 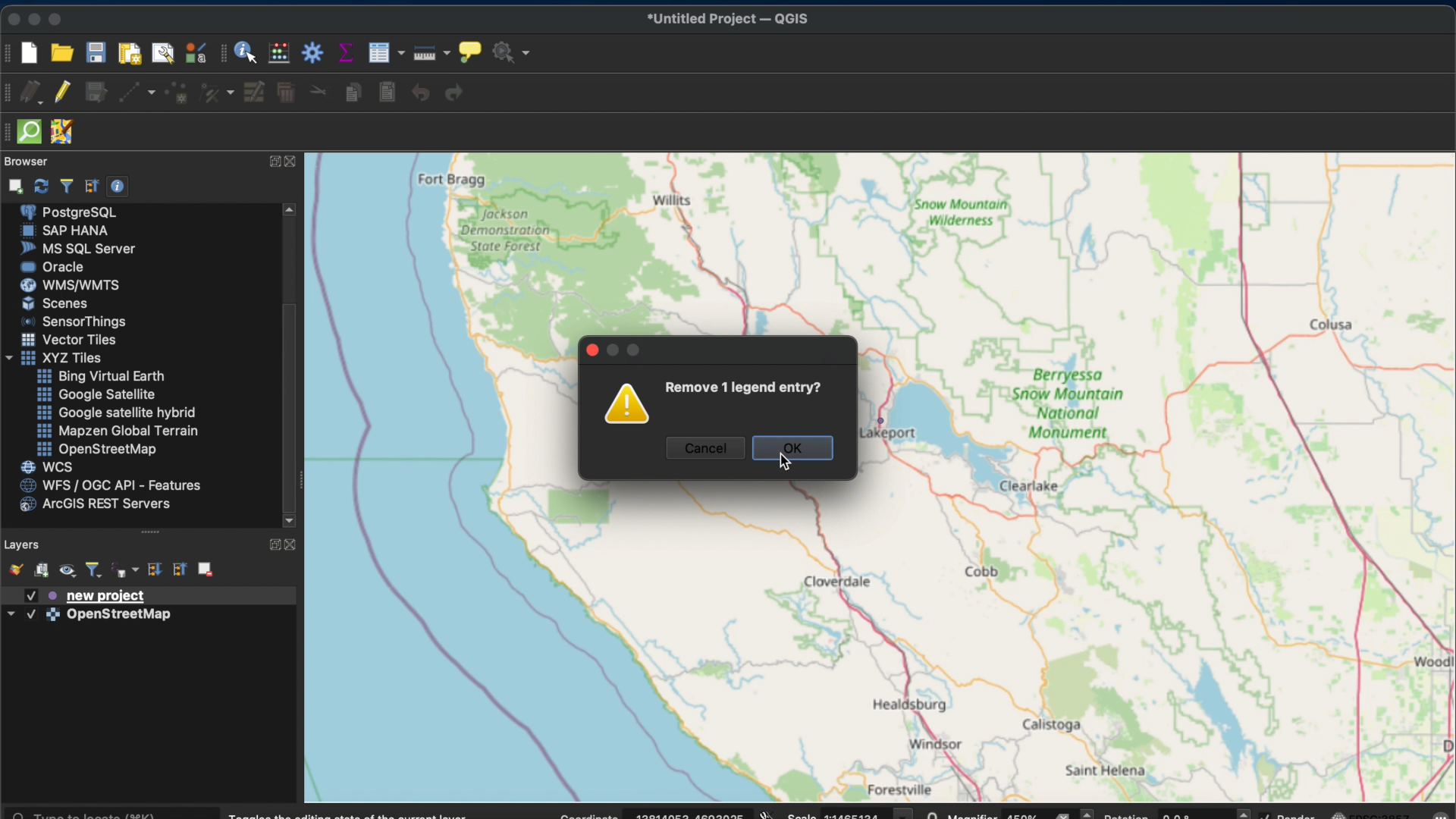 I want to click on CURSOR, so click(x=786, y=465).